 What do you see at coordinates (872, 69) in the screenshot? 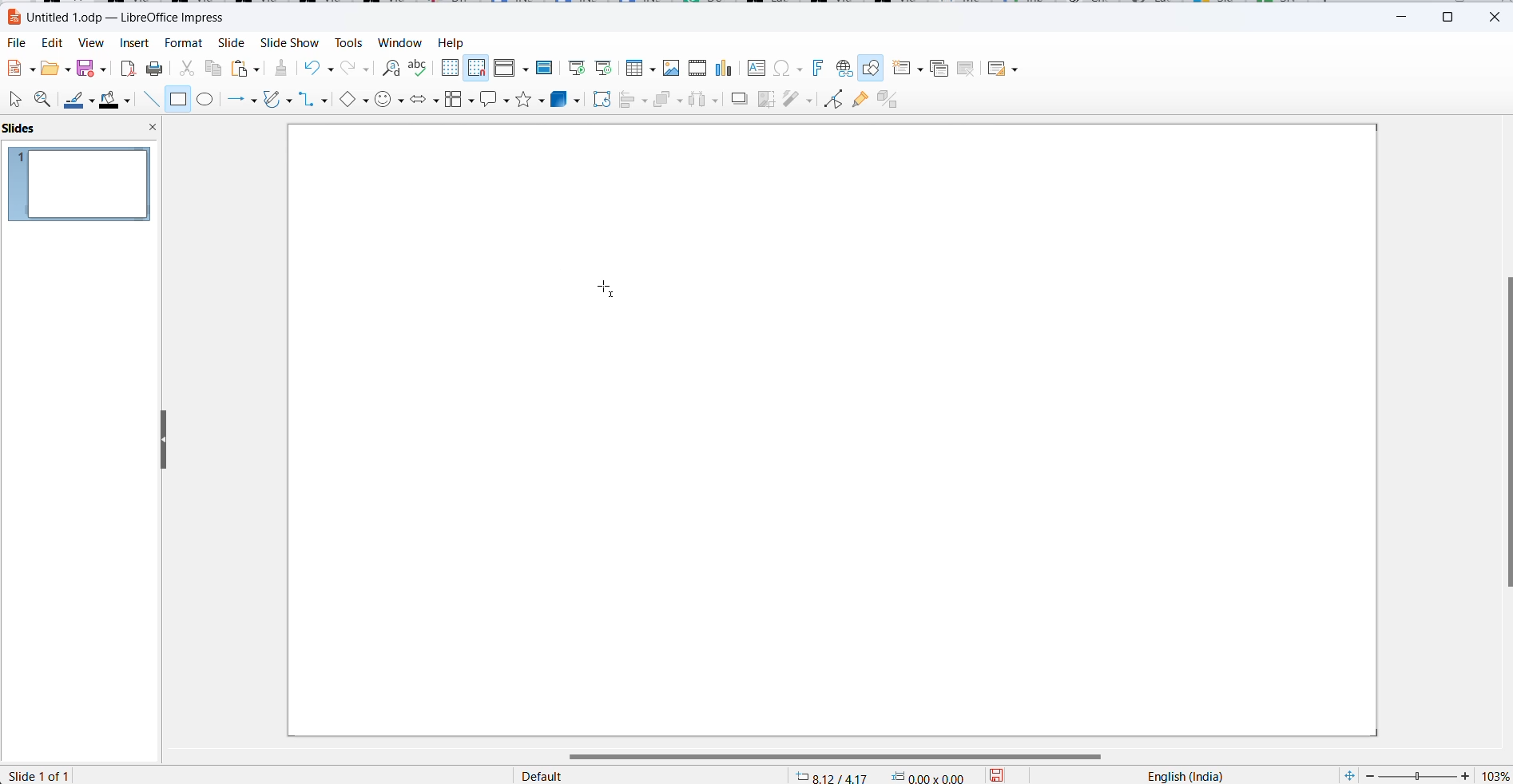
I see `Show draw functions` at bounding box center [872, 69].